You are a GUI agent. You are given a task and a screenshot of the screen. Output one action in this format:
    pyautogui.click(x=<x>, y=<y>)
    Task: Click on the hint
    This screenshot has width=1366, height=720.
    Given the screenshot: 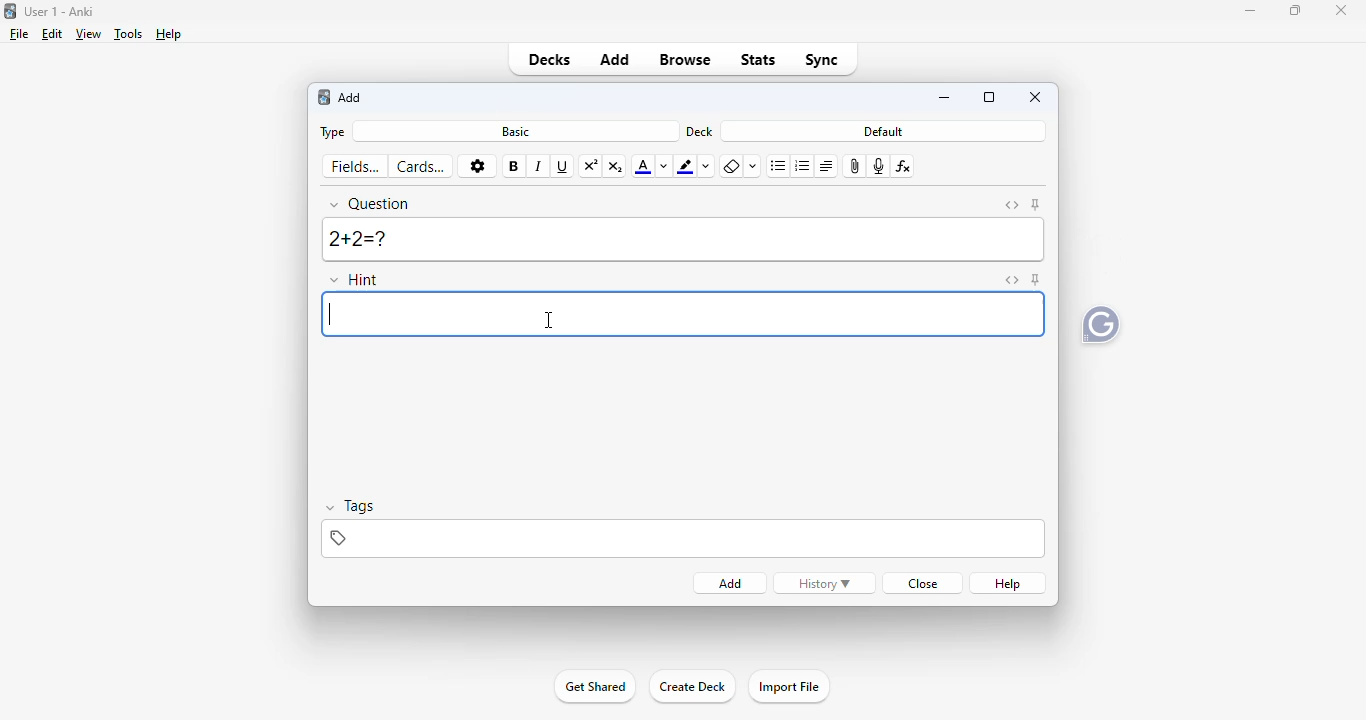 What is the action you would take?
    pyautogui.click(x=681, y=314)
    